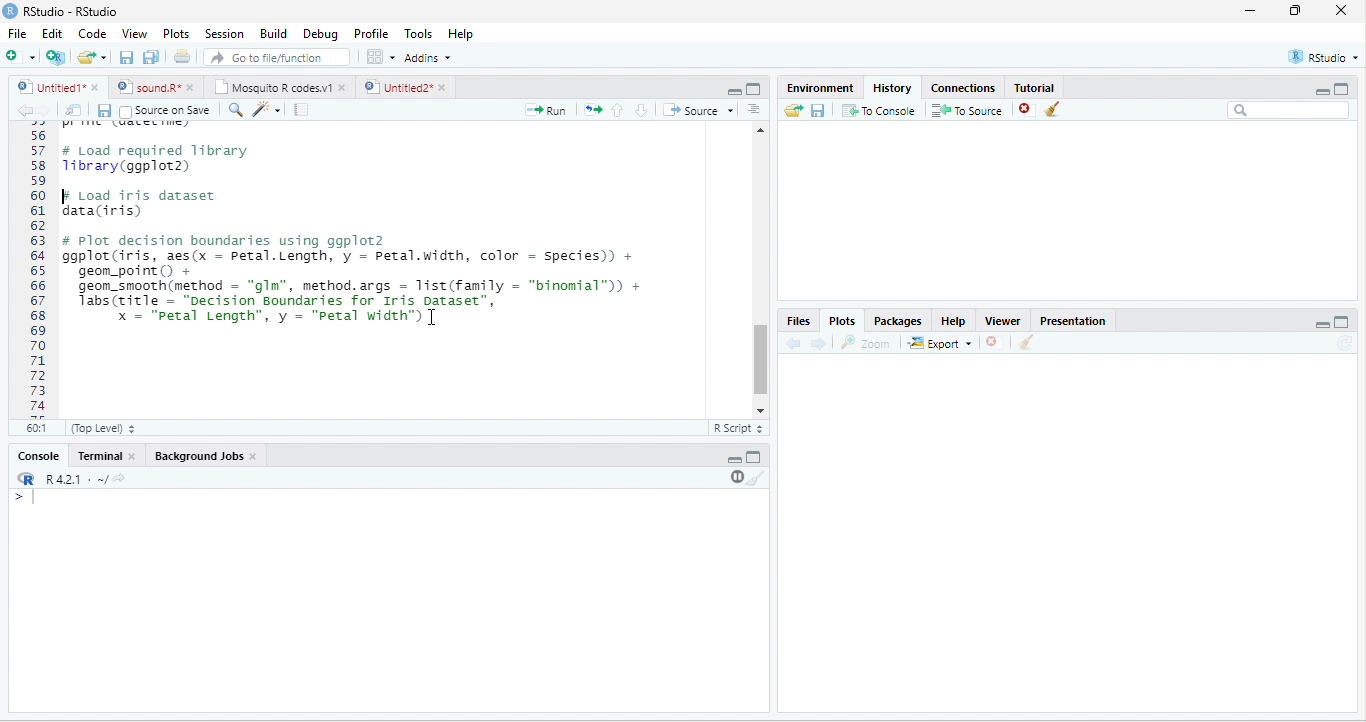  I want to click on Files, so click(797, 322).